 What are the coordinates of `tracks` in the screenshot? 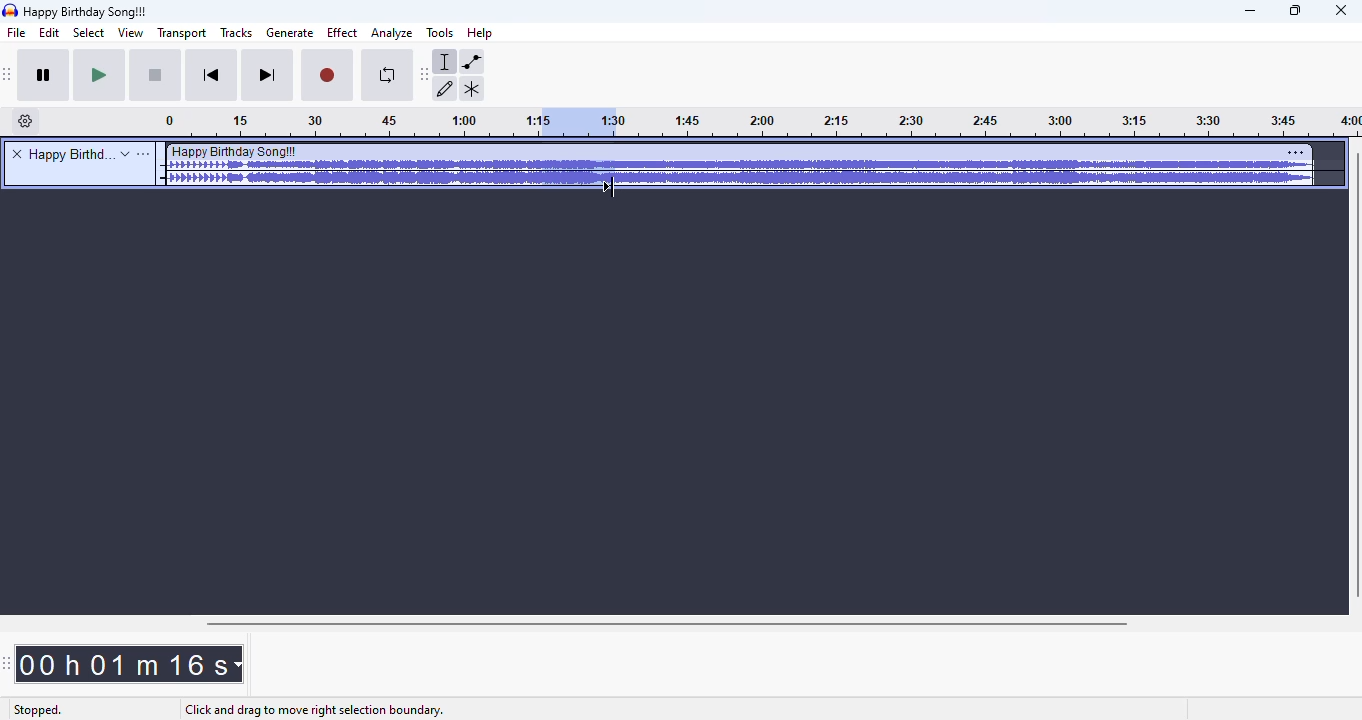 It's located at (237, 32).